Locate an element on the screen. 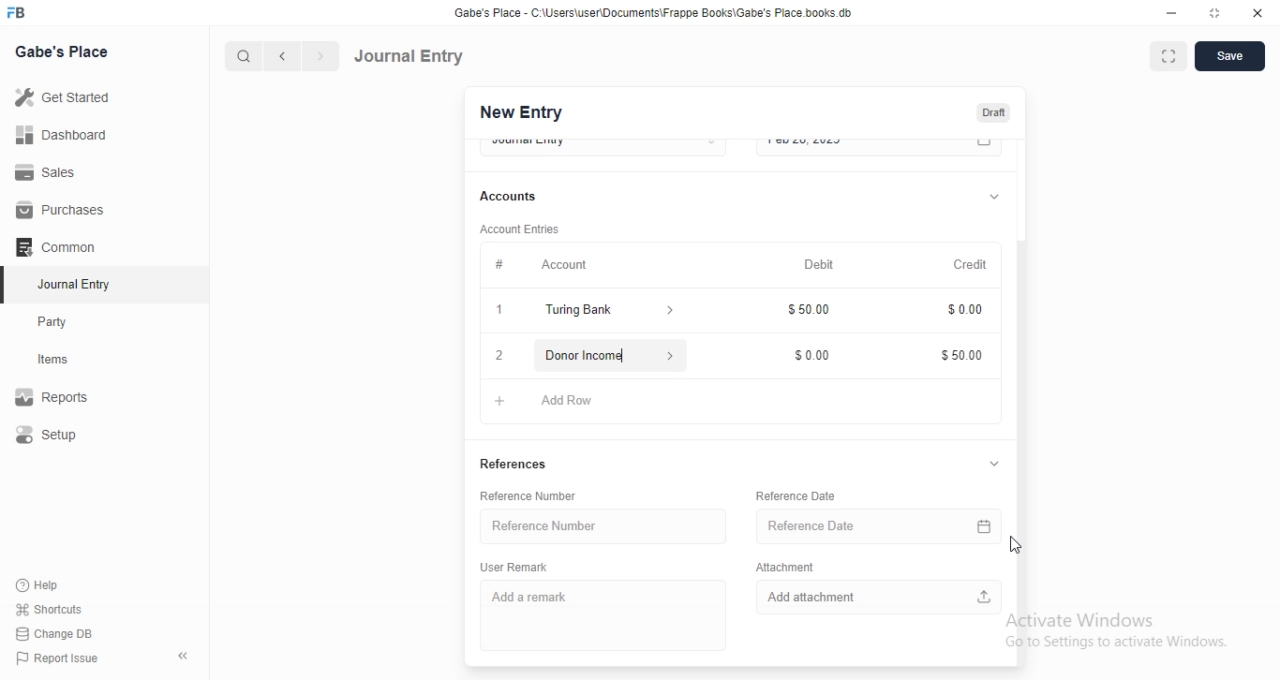 The height and width of the screenshot is (680, 1280). $000 is located at coordinates (962, 312).